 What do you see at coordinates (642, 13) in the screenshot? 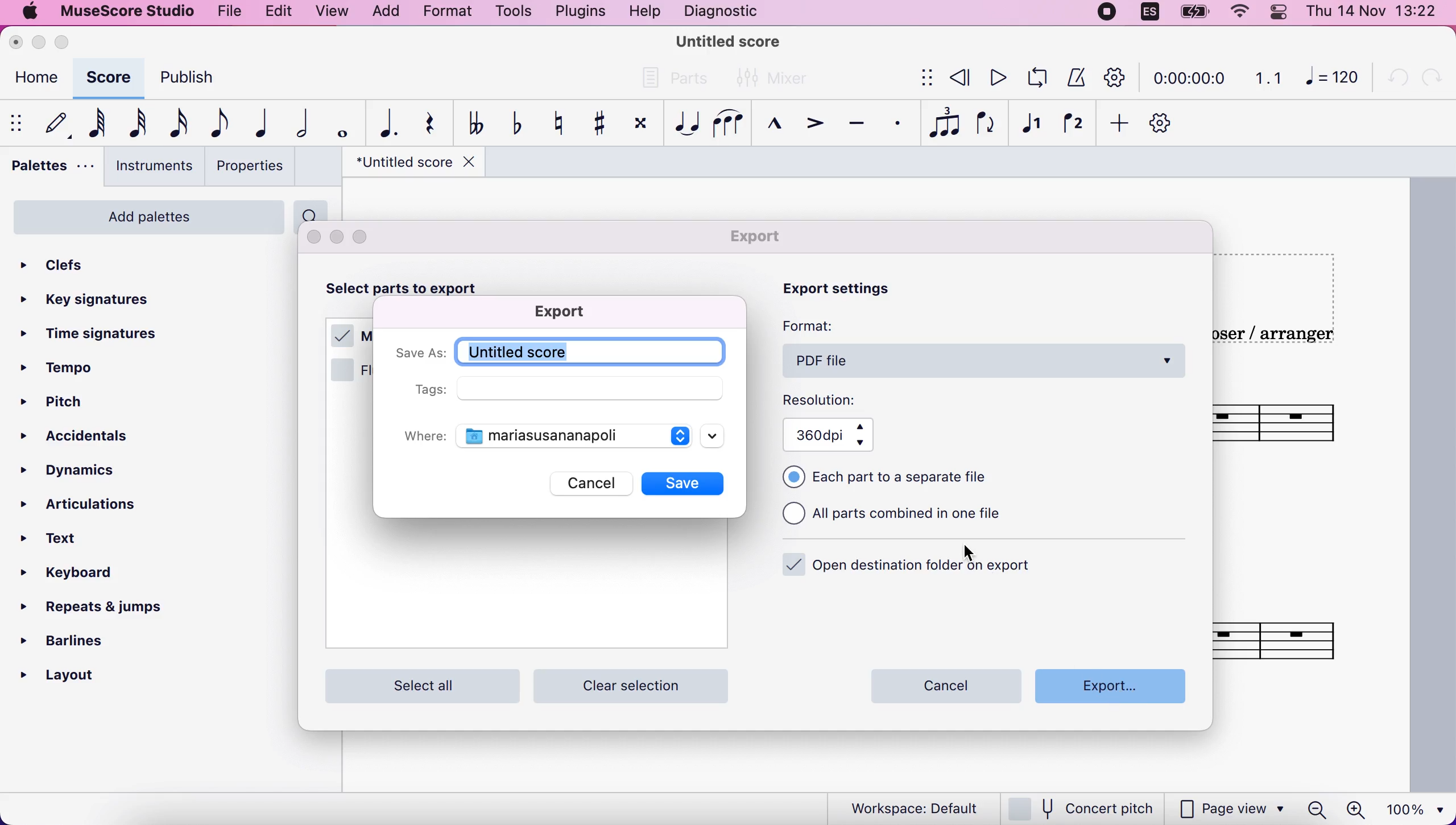
I see `help` at bounding box center [642, 13].